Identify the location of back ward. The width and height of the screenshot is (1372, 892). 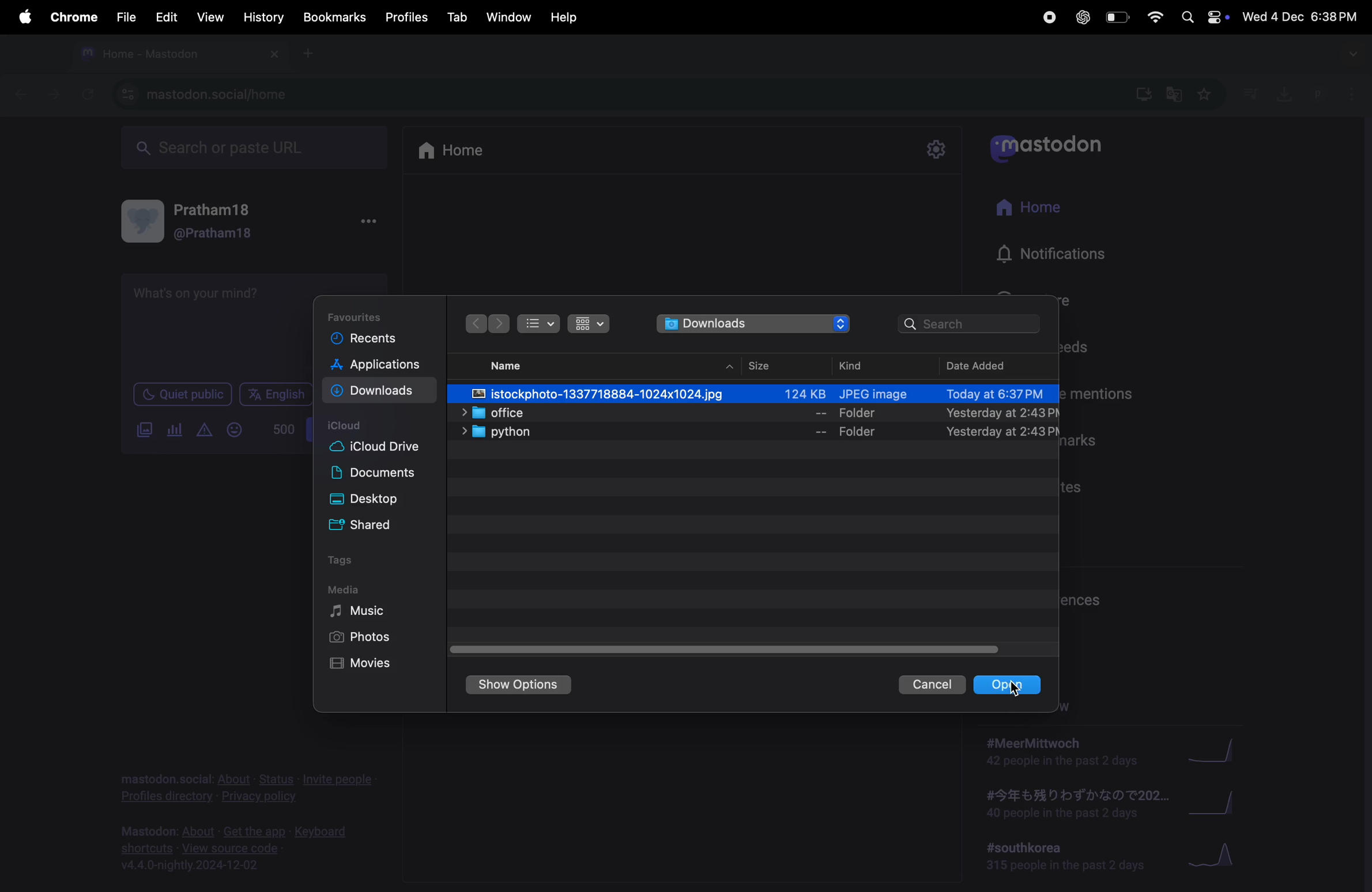
(478, 324).